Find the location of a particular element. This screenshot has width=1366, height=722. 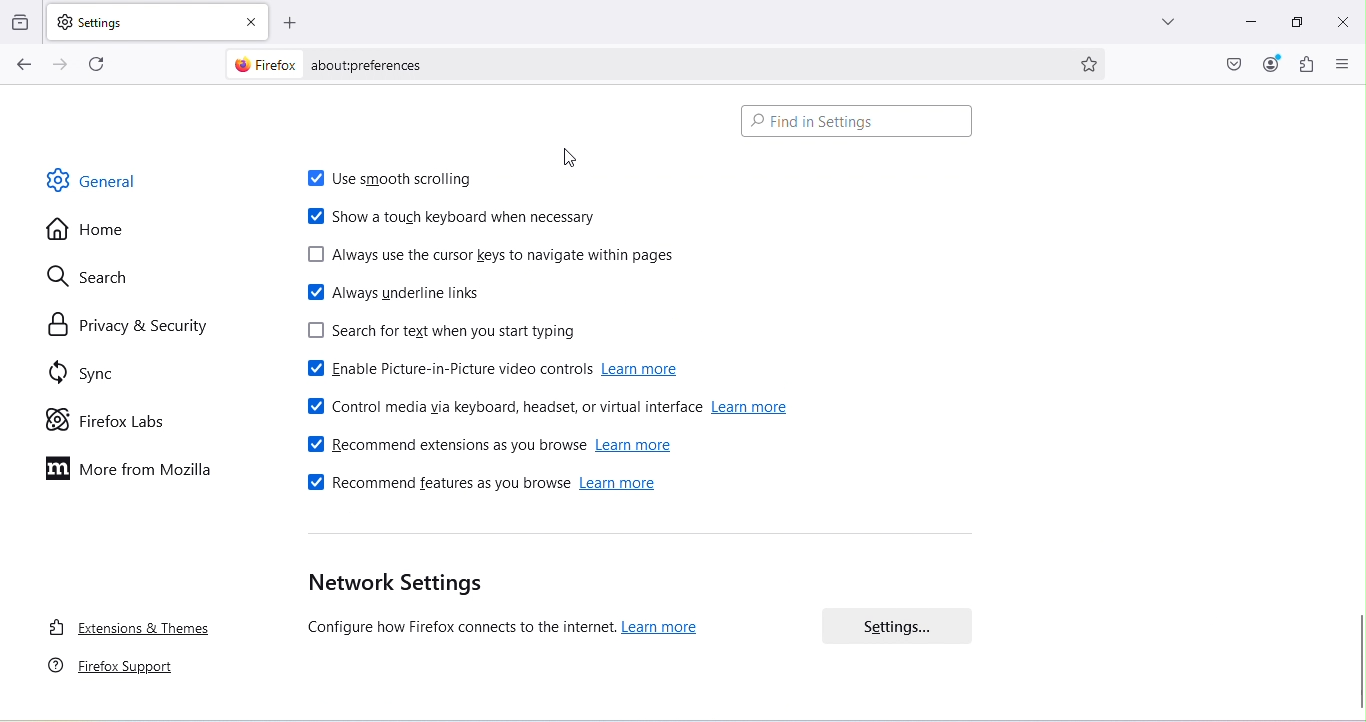

Close is located at coordinates (1343, 21).